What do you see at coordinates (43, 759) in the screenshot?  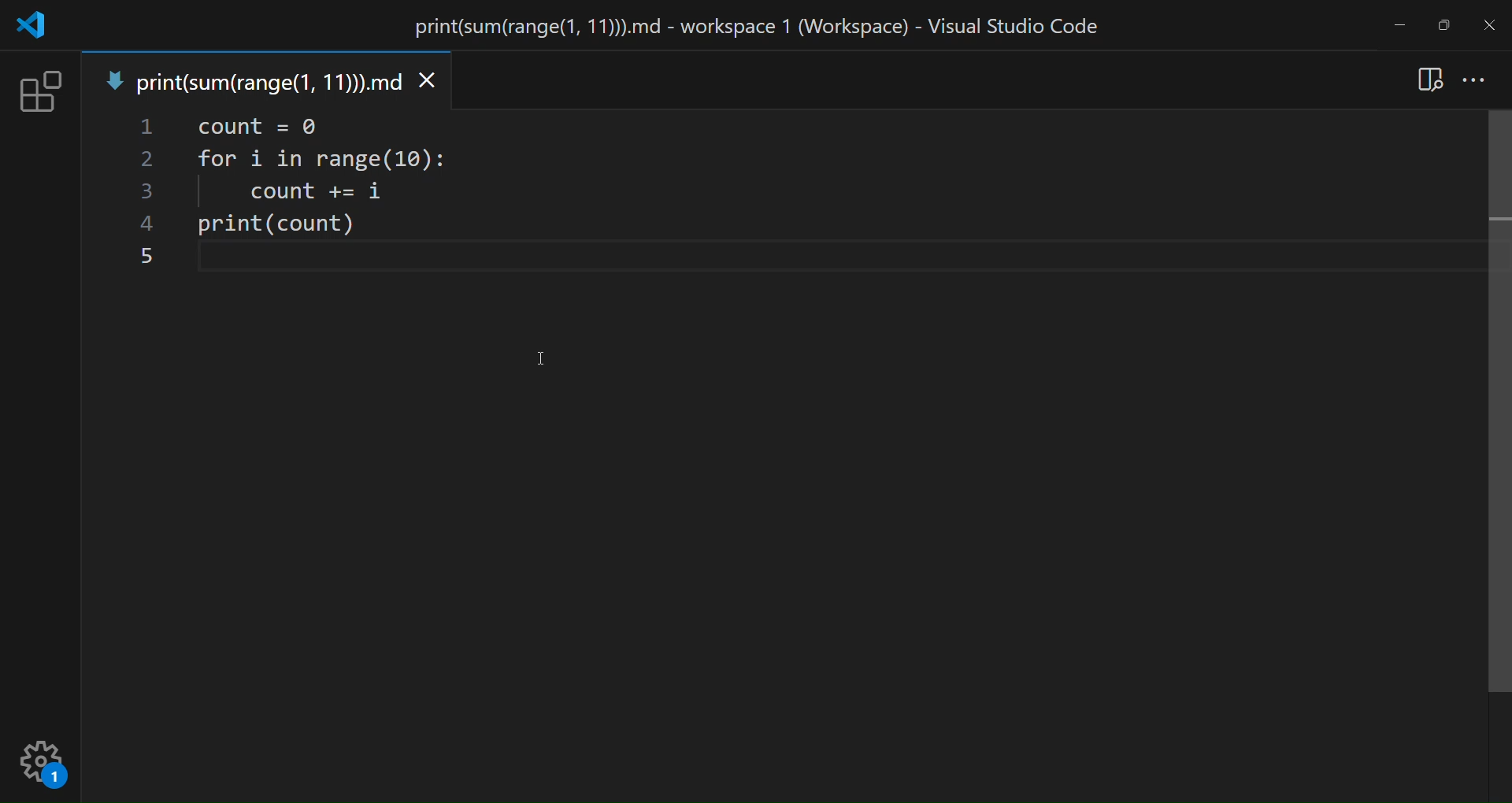 I see `setting` at bounding box center [43, 759].